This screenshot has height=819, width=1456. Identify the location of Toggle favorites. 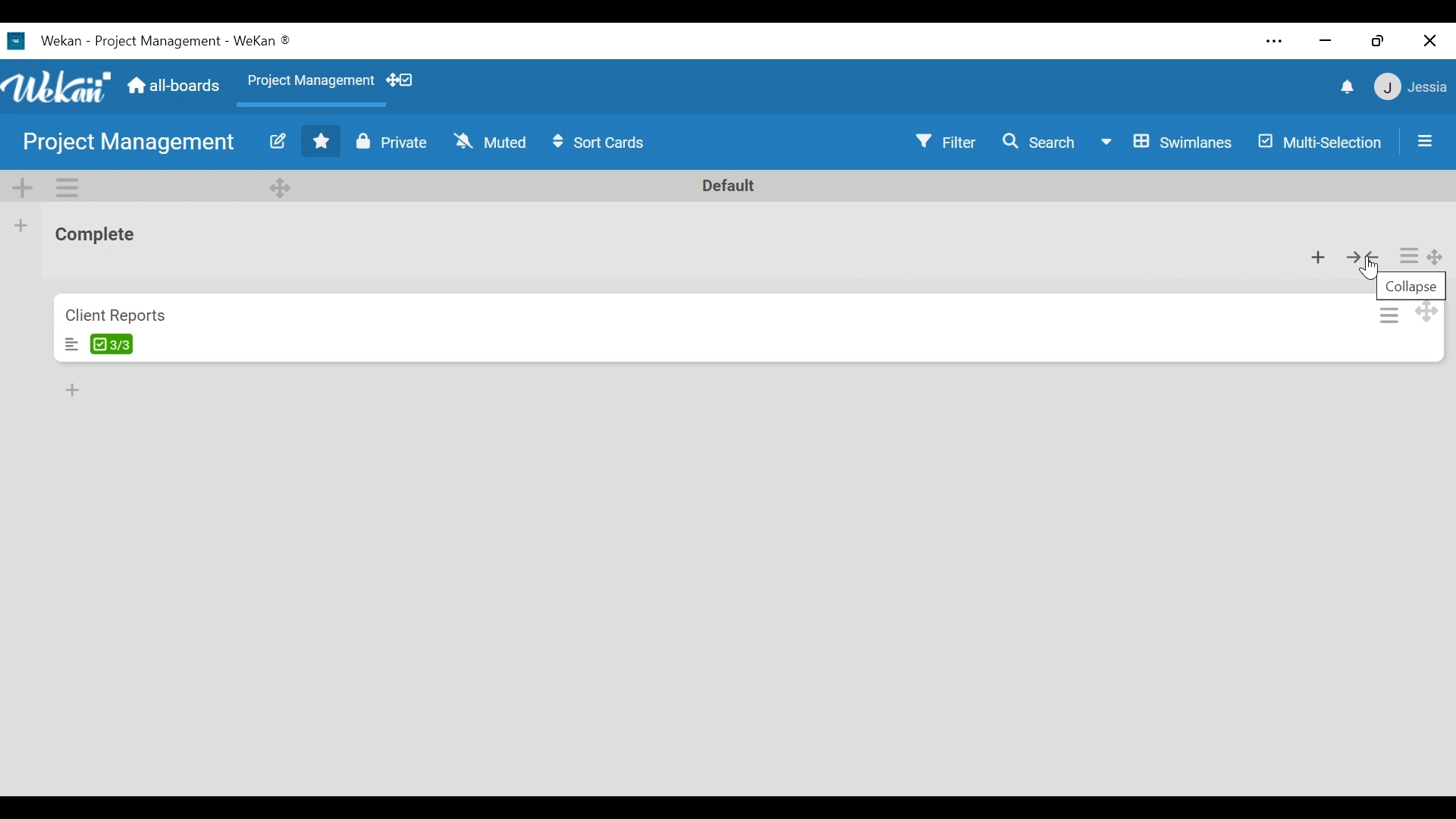
(322, 141).